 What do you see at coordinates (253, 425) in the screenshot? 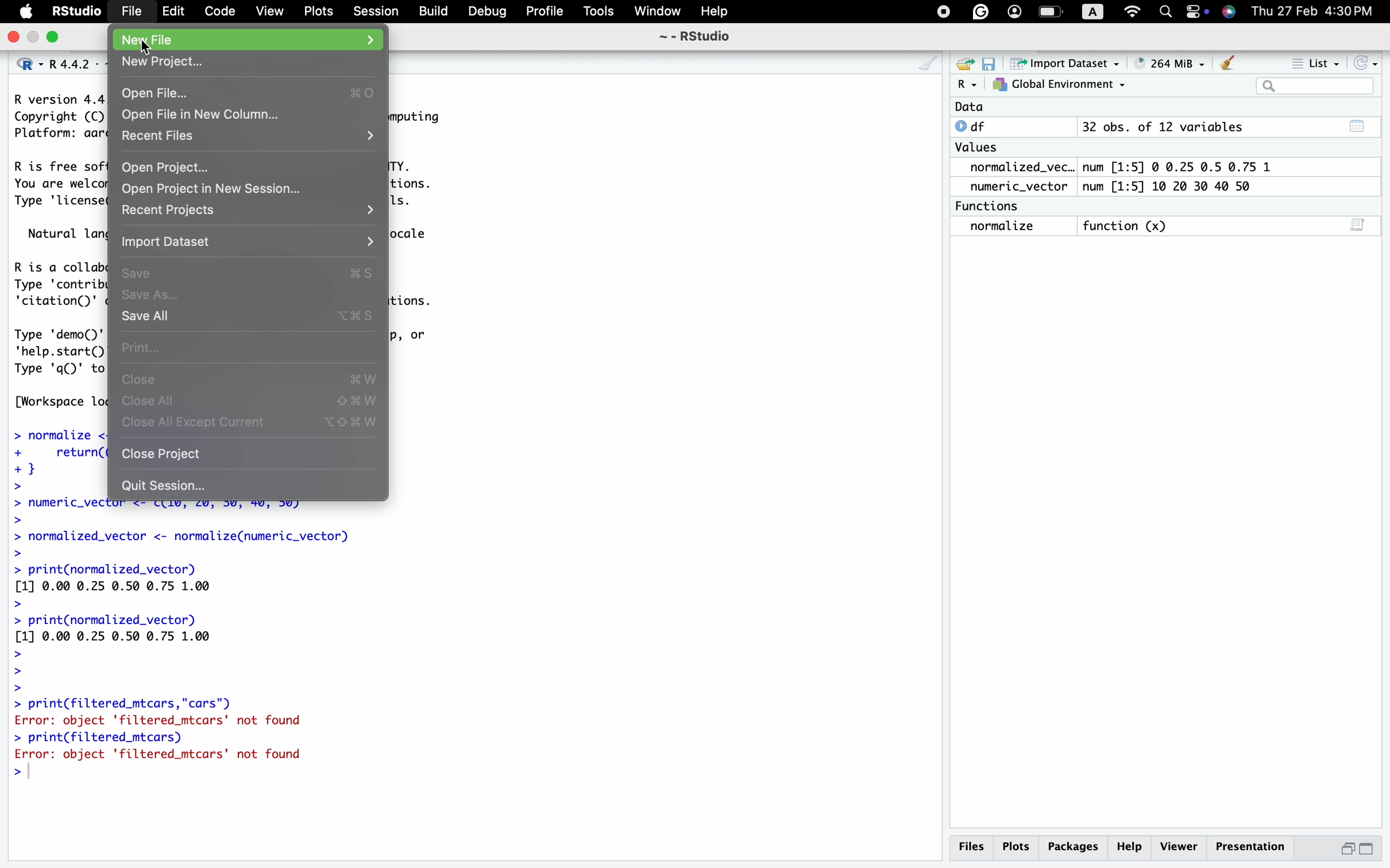
I see `close all except current` at bounding box center [253, 425].